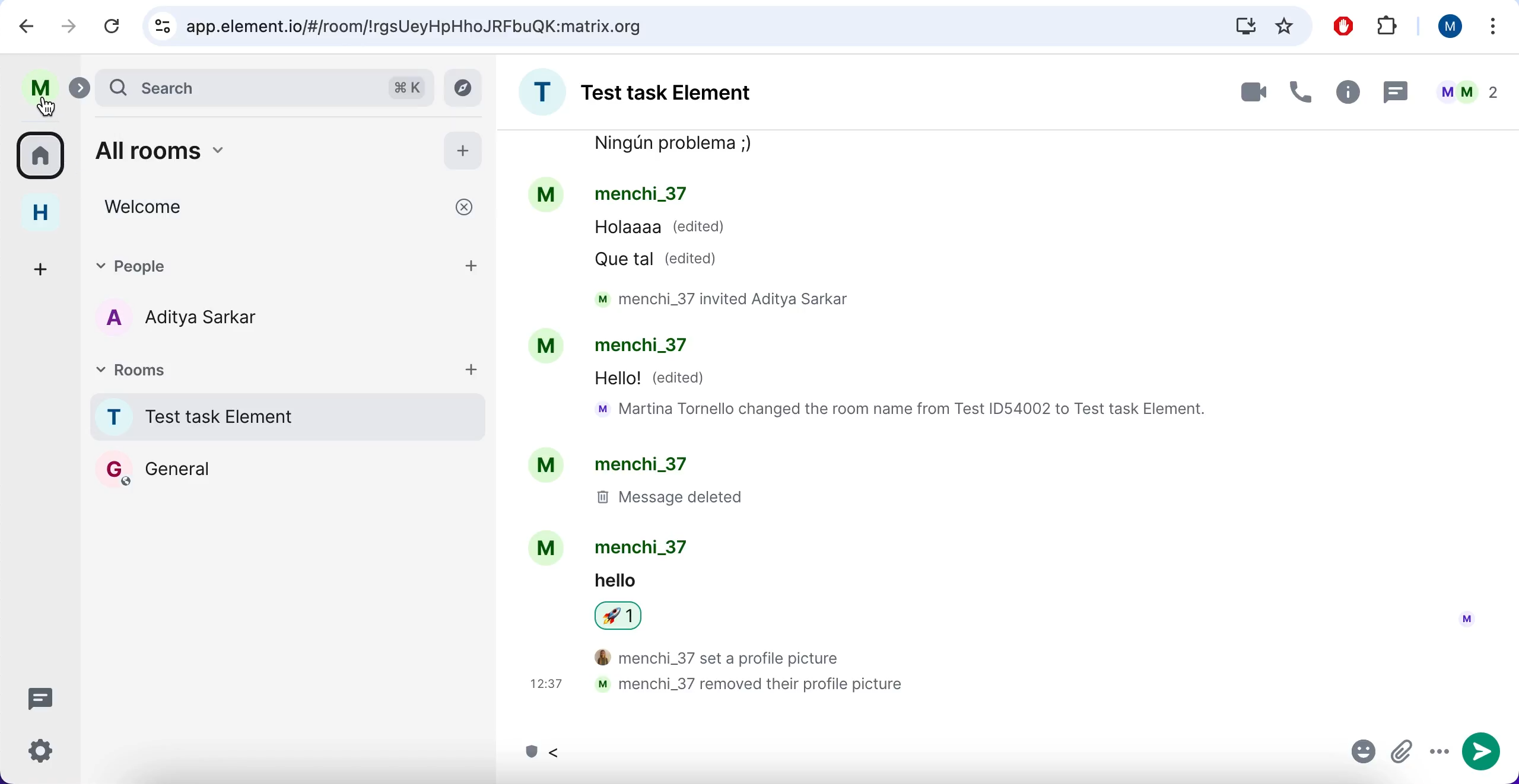 Image resolution: width=1519 pixels, height=784 pixels. What do you see at coordinates (465, 93) in the screenshot?
I see `` at bounding box center [465, 93].